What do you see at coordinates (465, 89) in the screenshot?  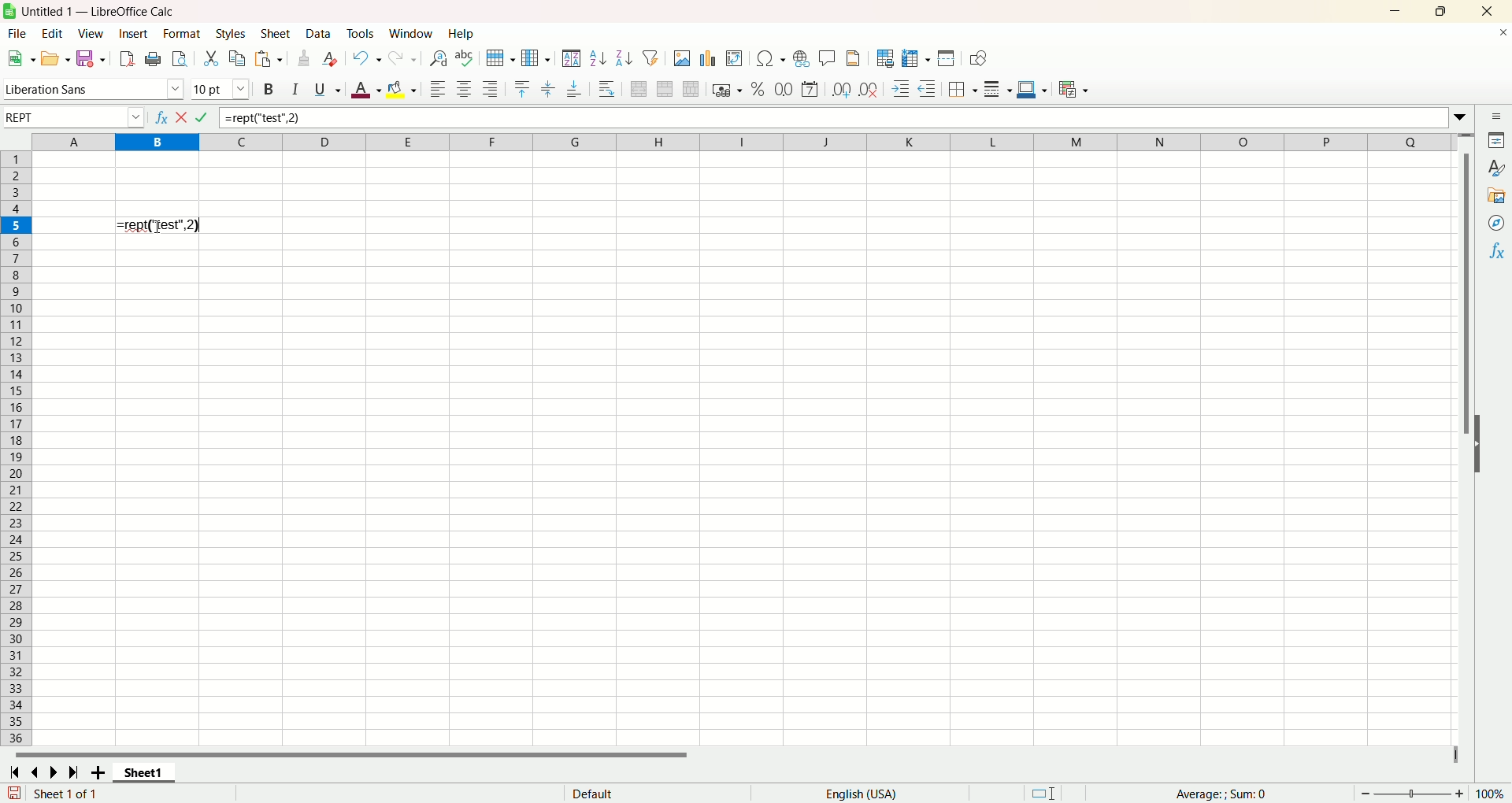 I see `align center` at bounding box center [465, 89].